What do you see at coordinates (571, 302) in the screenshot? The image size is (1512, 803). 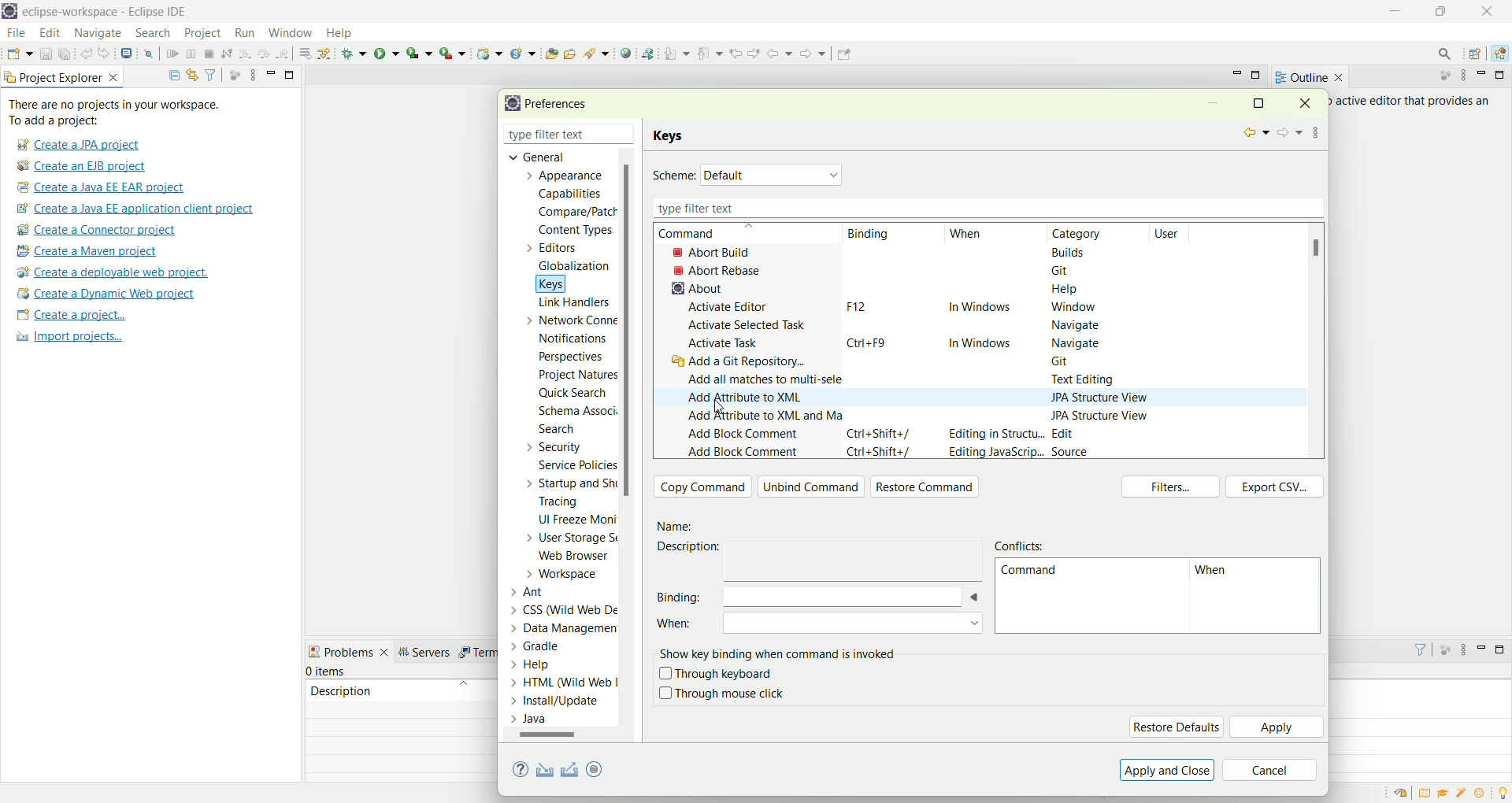 I see `link handlers` at bounding box center [571, 302].